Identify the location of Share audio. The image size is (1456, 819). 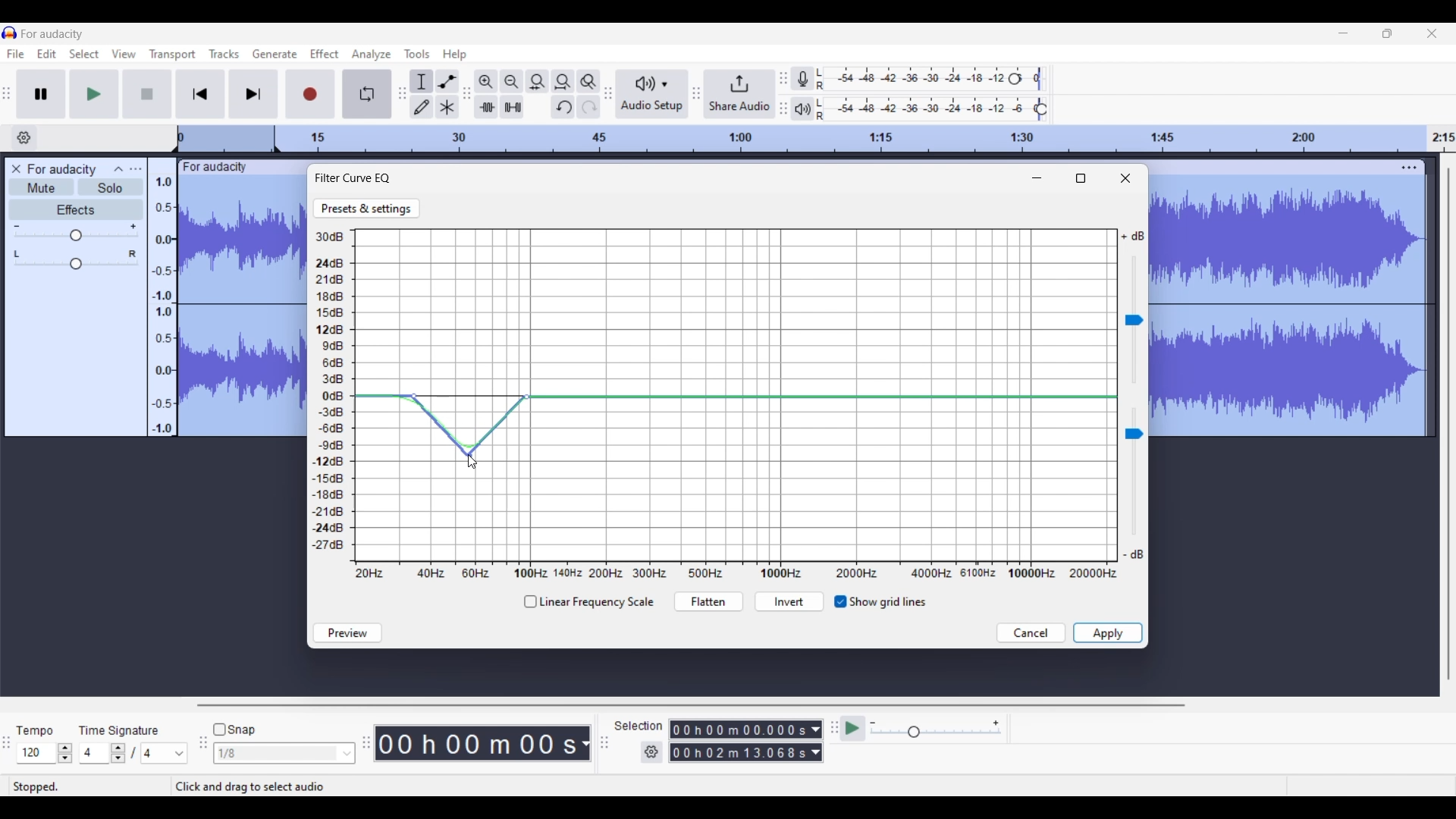
(740, 94).